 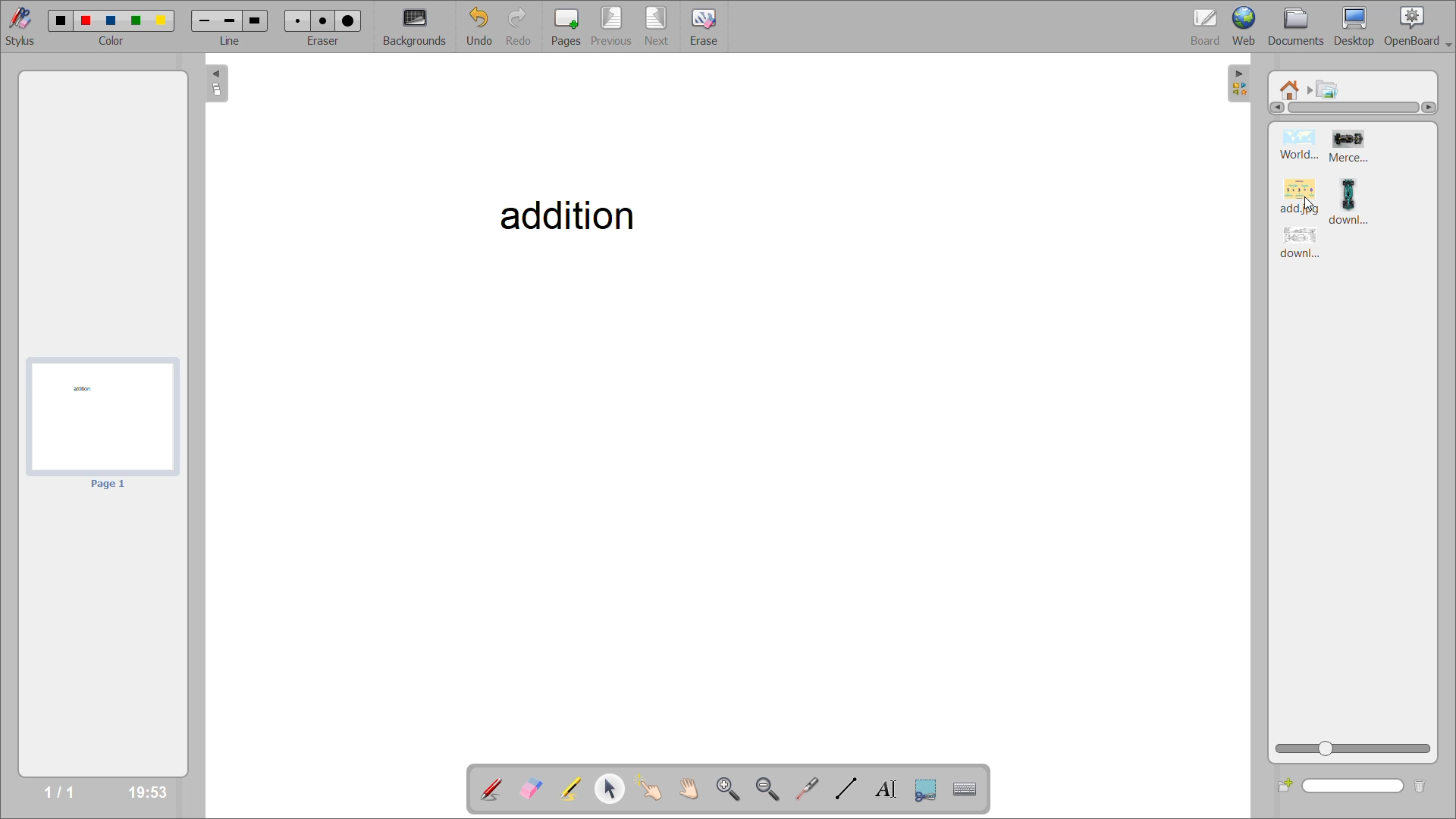 What do you see at coordinates (654, 789) in the screenshot?
I see `interact with items` at bounding box center [654, 789].